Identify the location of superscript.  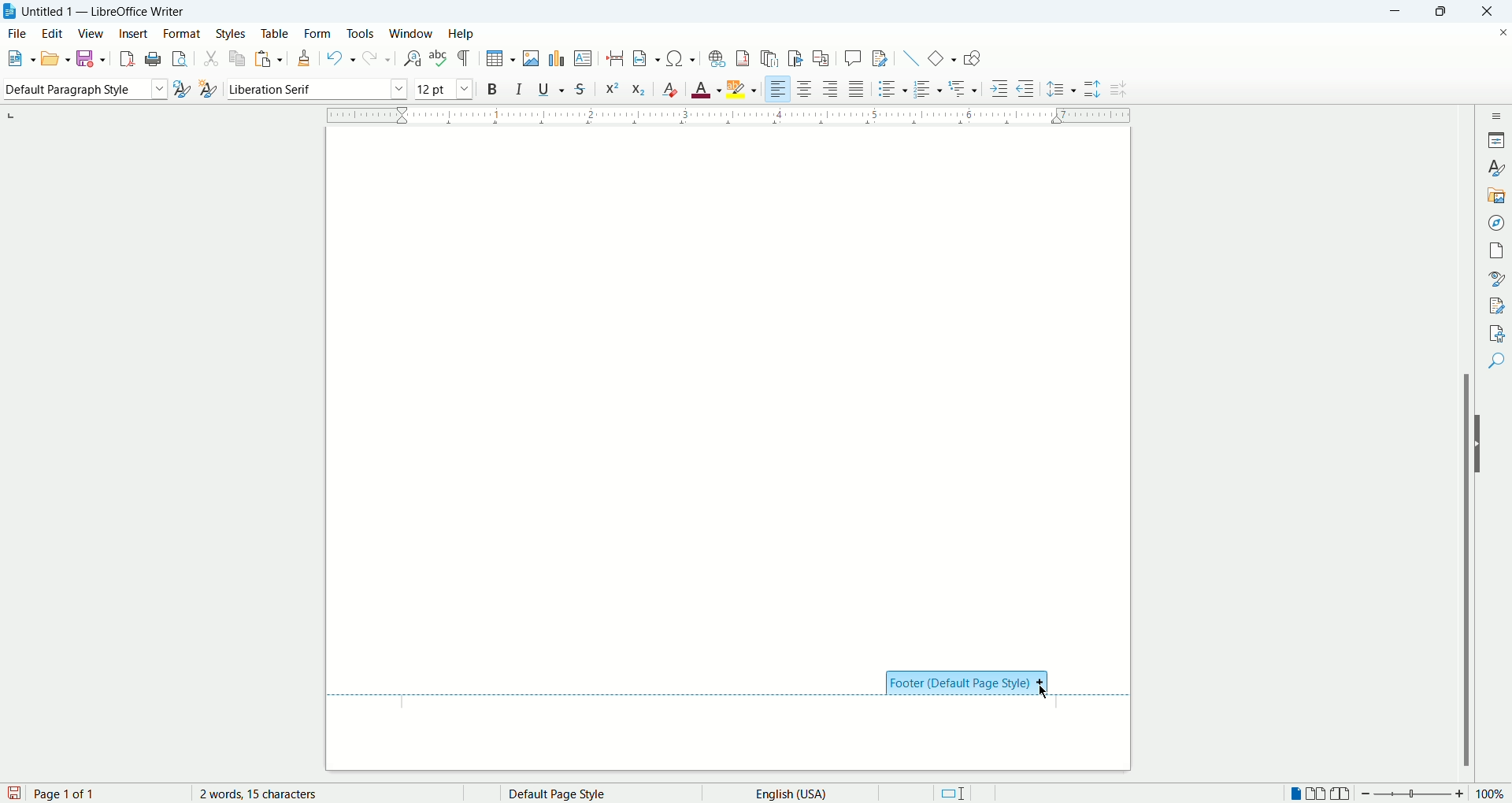
(610, 87).